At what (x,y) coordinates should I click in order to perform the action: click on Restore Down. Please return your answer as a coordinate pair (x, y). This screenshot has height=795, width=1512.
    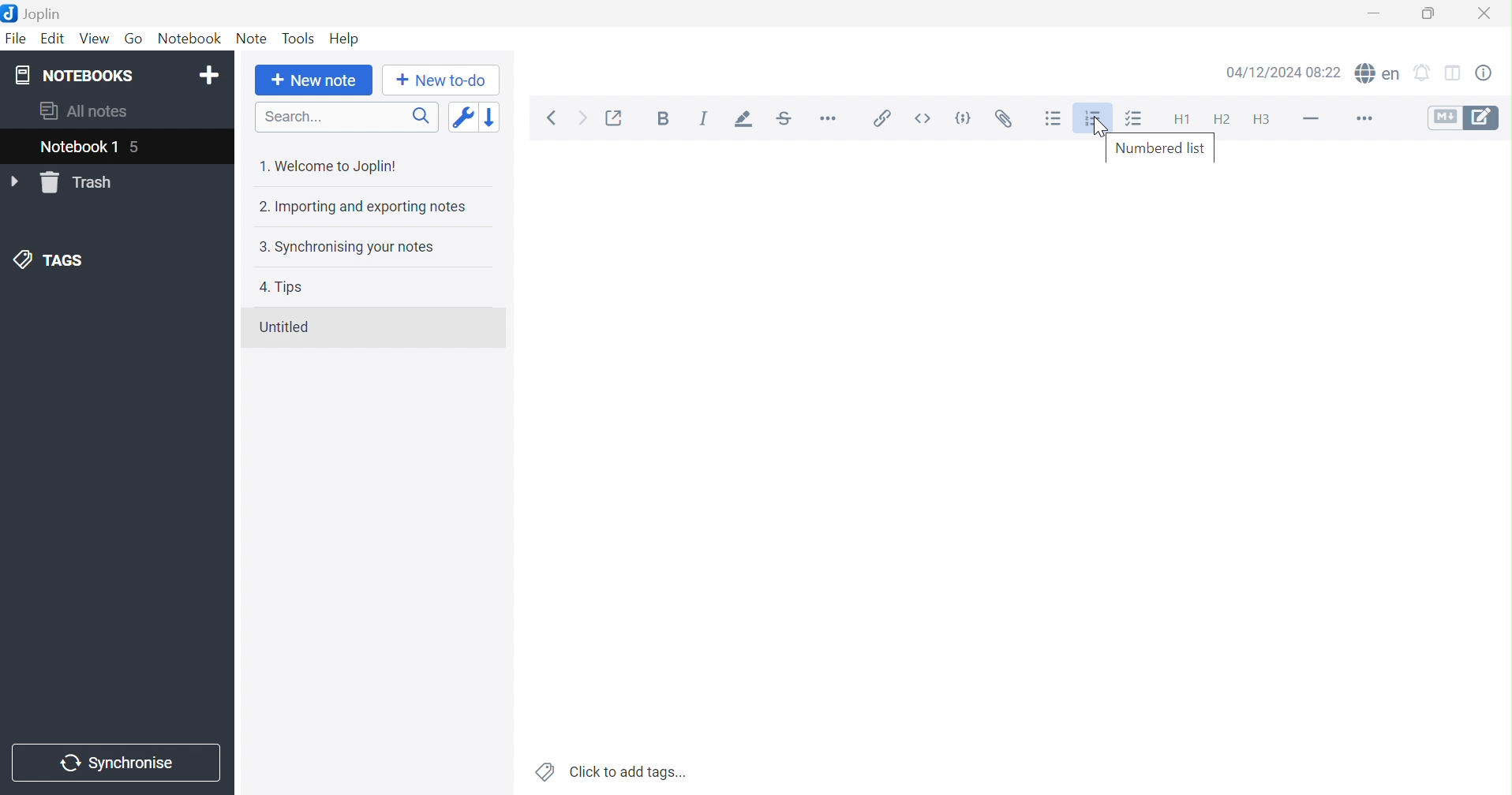
    Looking at the image, I should click on (1427, 12).